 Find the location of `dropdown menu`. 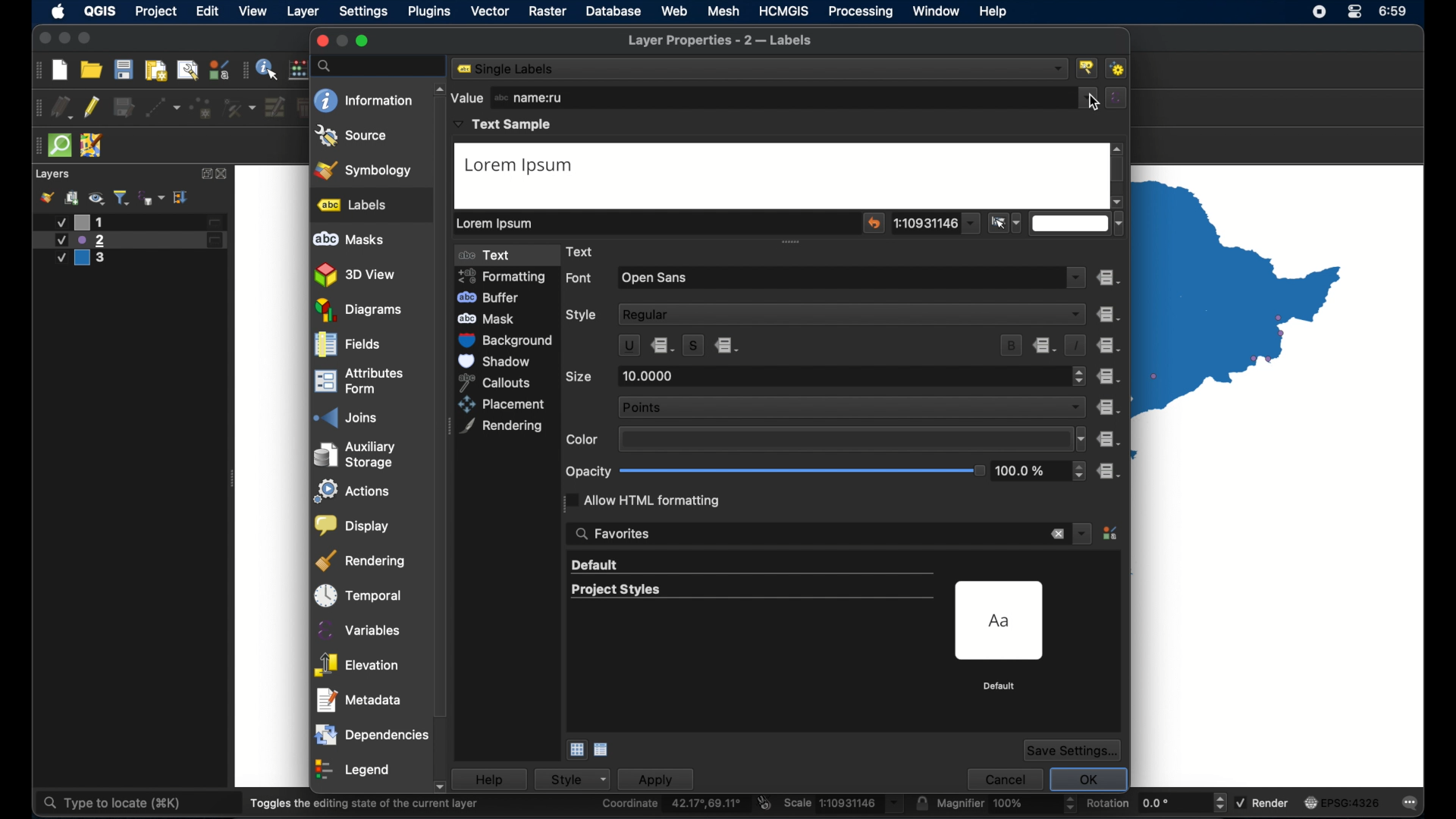

dropdown menu is located at coordinates (1079, 439).